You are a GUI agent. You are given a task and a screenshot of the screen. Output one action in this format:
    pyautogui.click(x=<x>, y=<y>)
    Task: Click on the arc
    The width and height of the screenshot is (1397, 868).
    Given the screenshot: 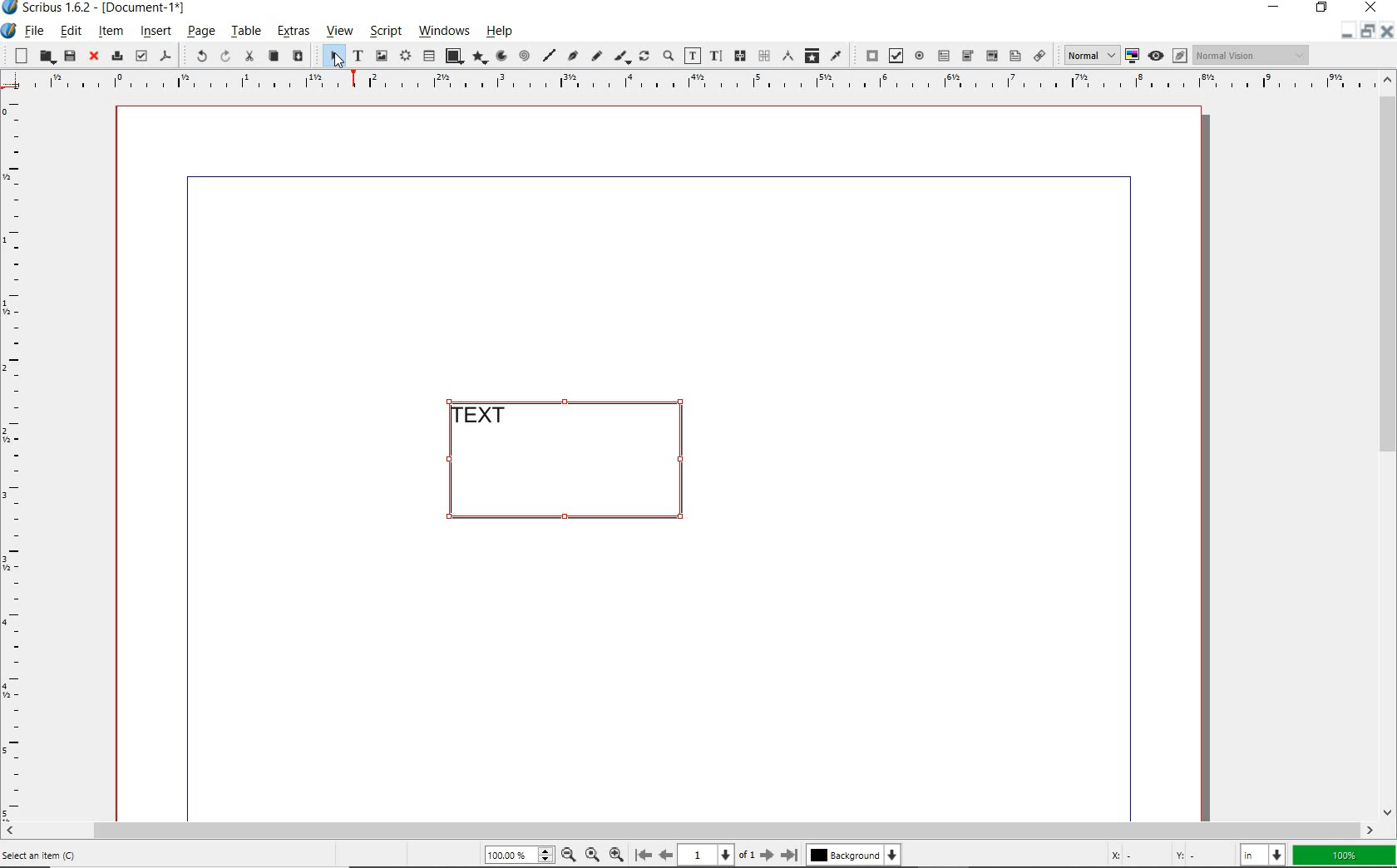 What is the action you would take?
    pyautogui.click(x=502, y=56)
    